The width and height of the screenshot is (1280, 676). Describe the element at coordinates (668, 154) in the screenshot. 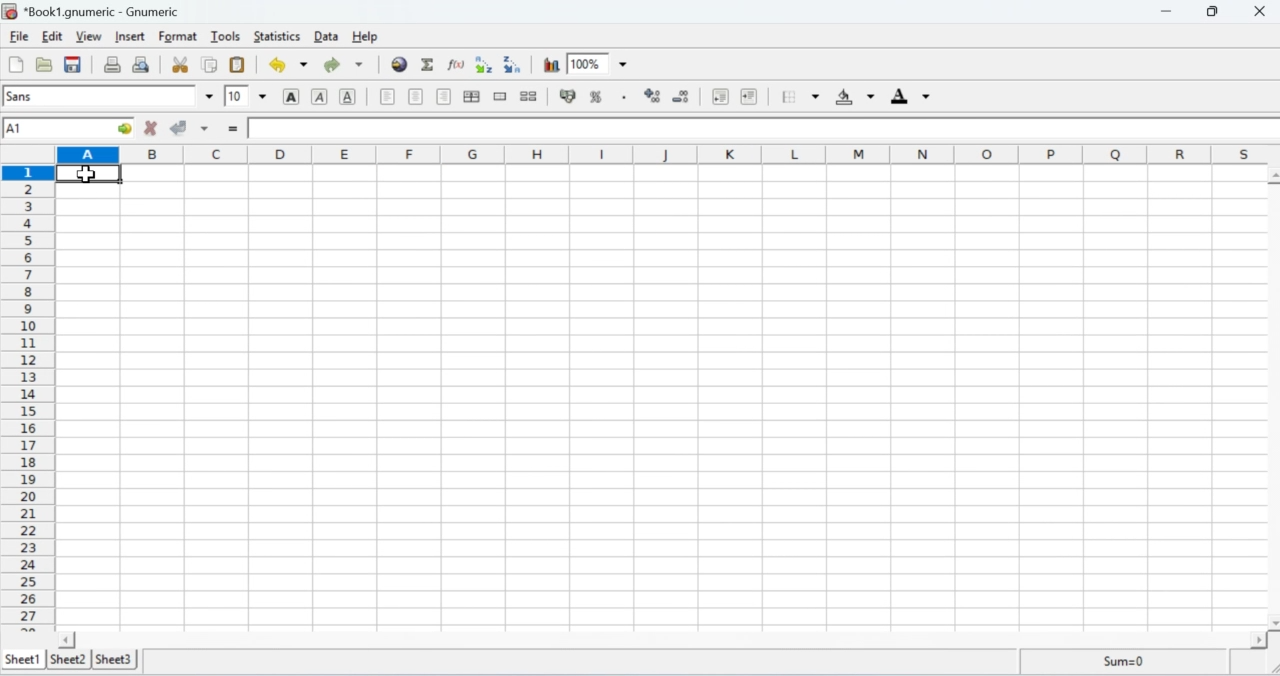

I see `Columns` at that location.